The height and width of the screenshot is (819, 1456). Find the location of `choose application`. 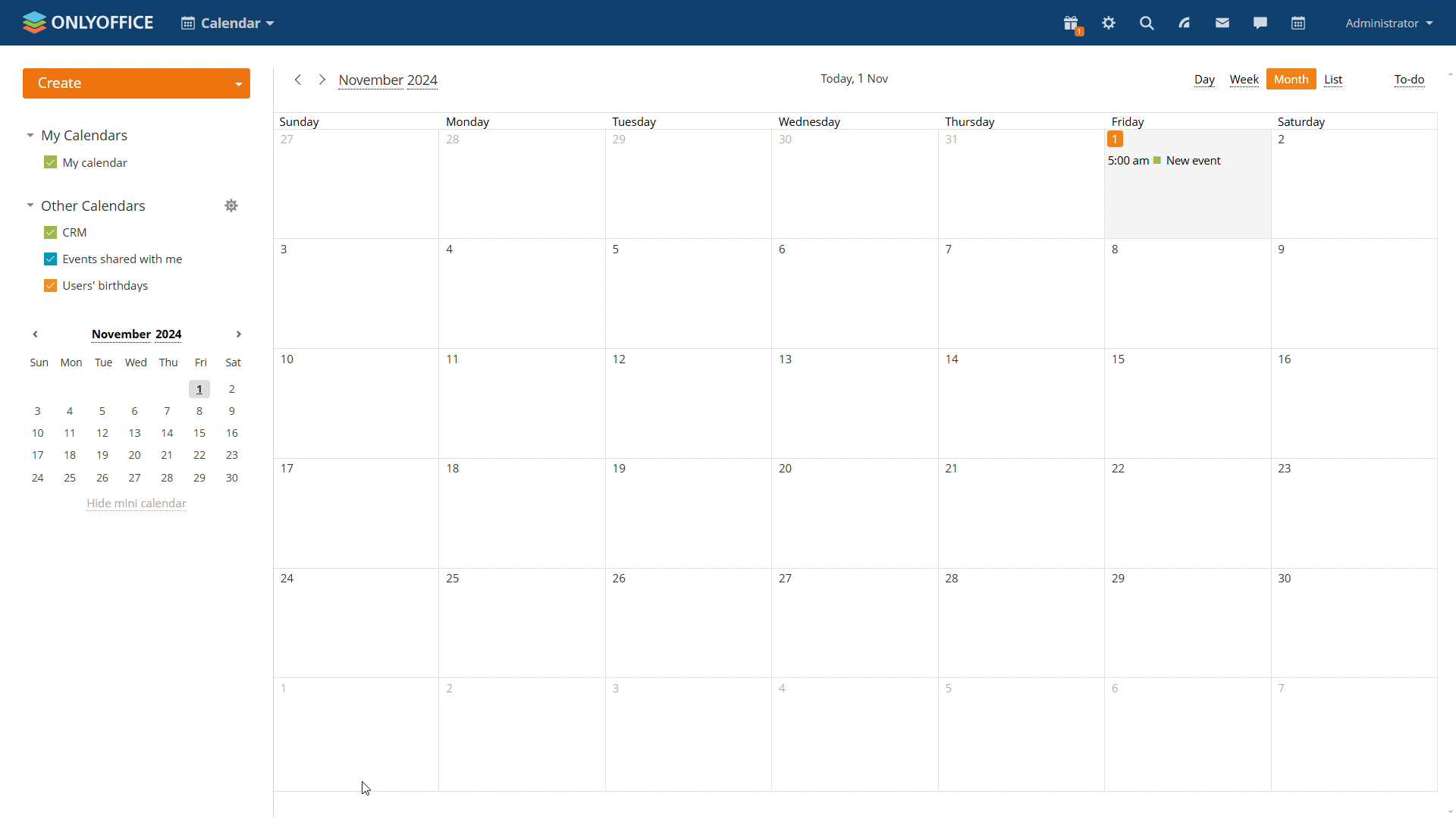

choose application is located at coordinates (226, 22).